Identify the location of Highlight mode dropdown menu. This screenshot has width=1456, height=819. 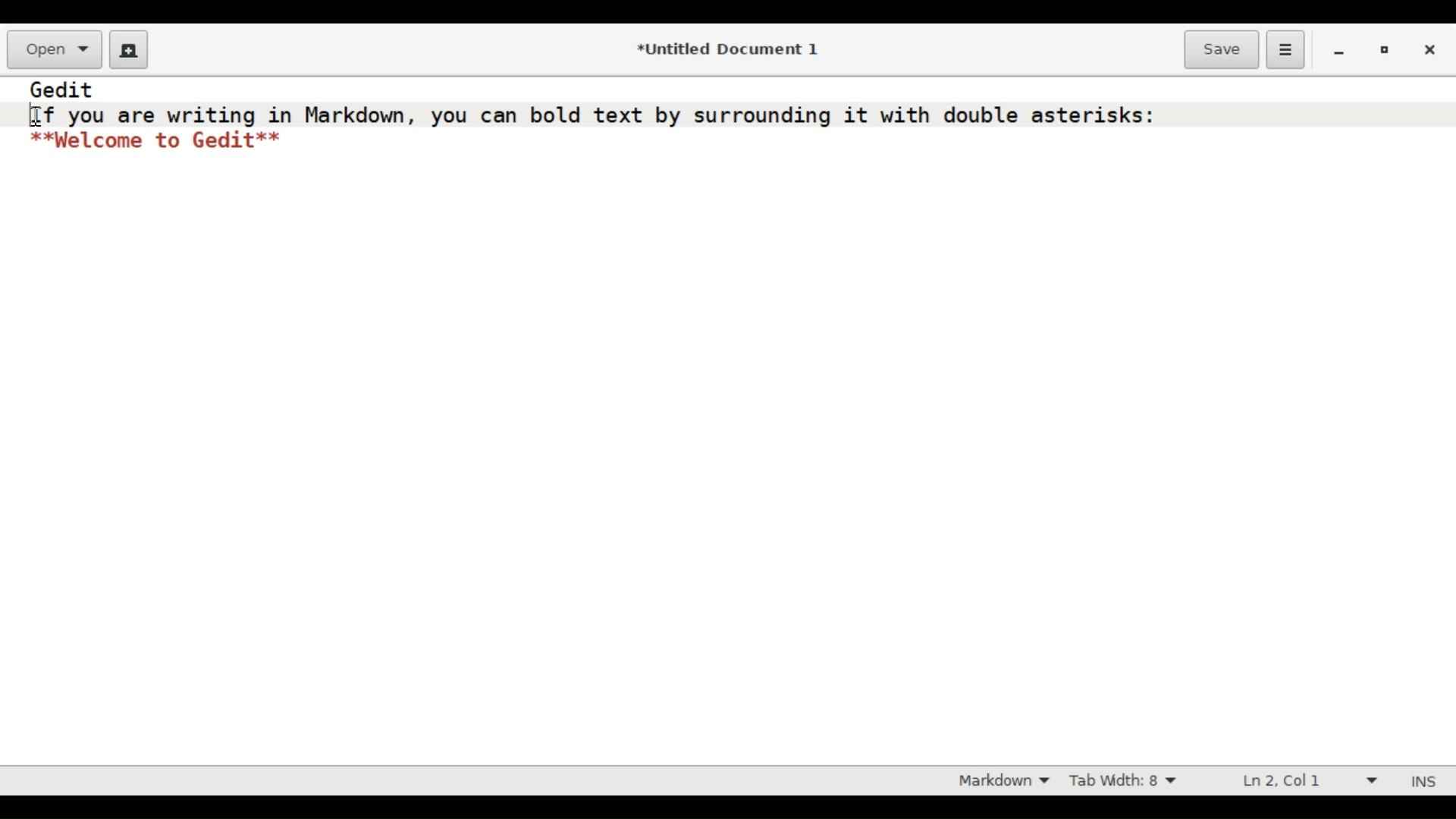
(1005, 782).